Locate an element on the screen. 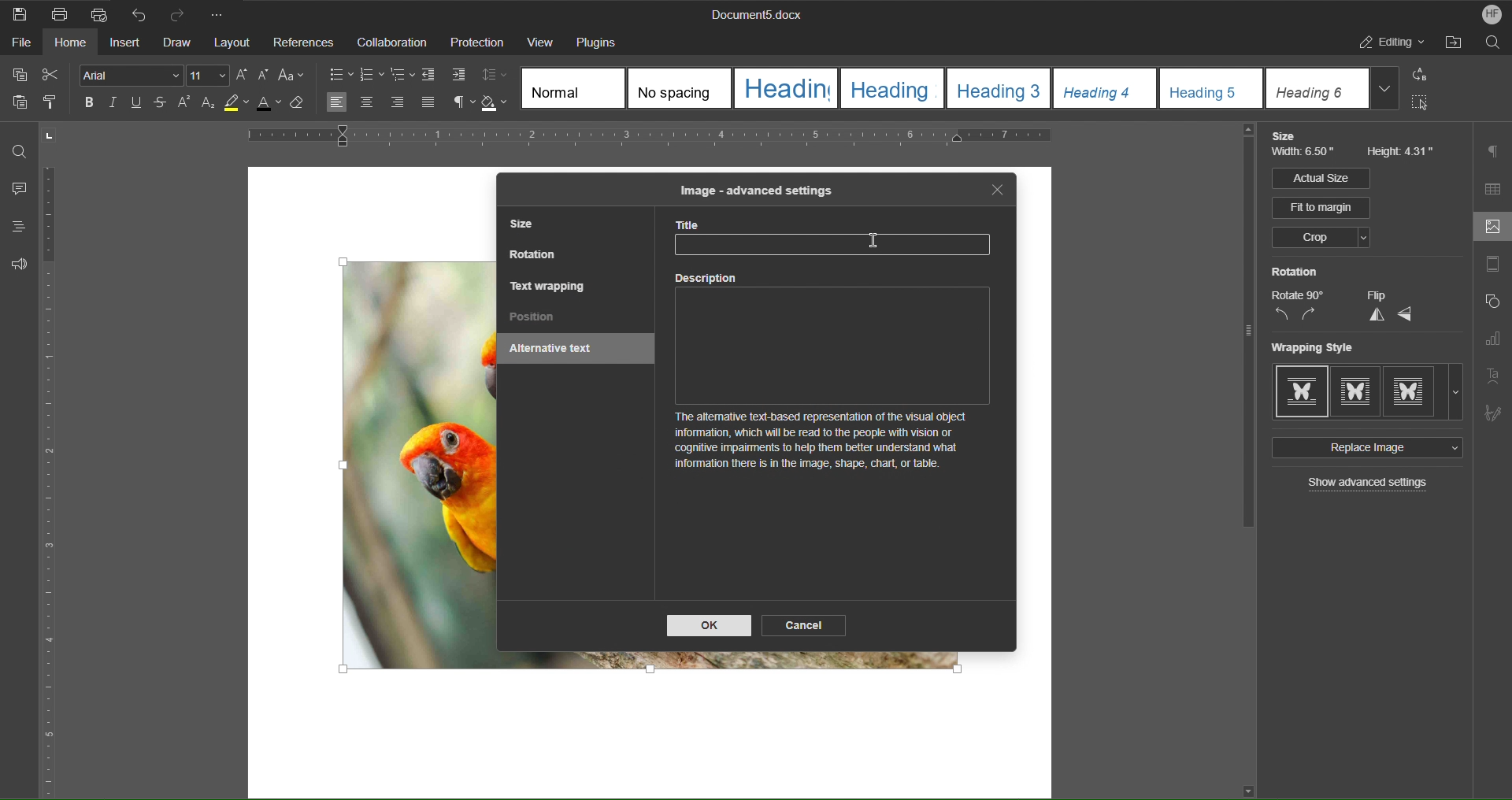 The image size is (1512, 800).  is located at coordinates (1311, 347).